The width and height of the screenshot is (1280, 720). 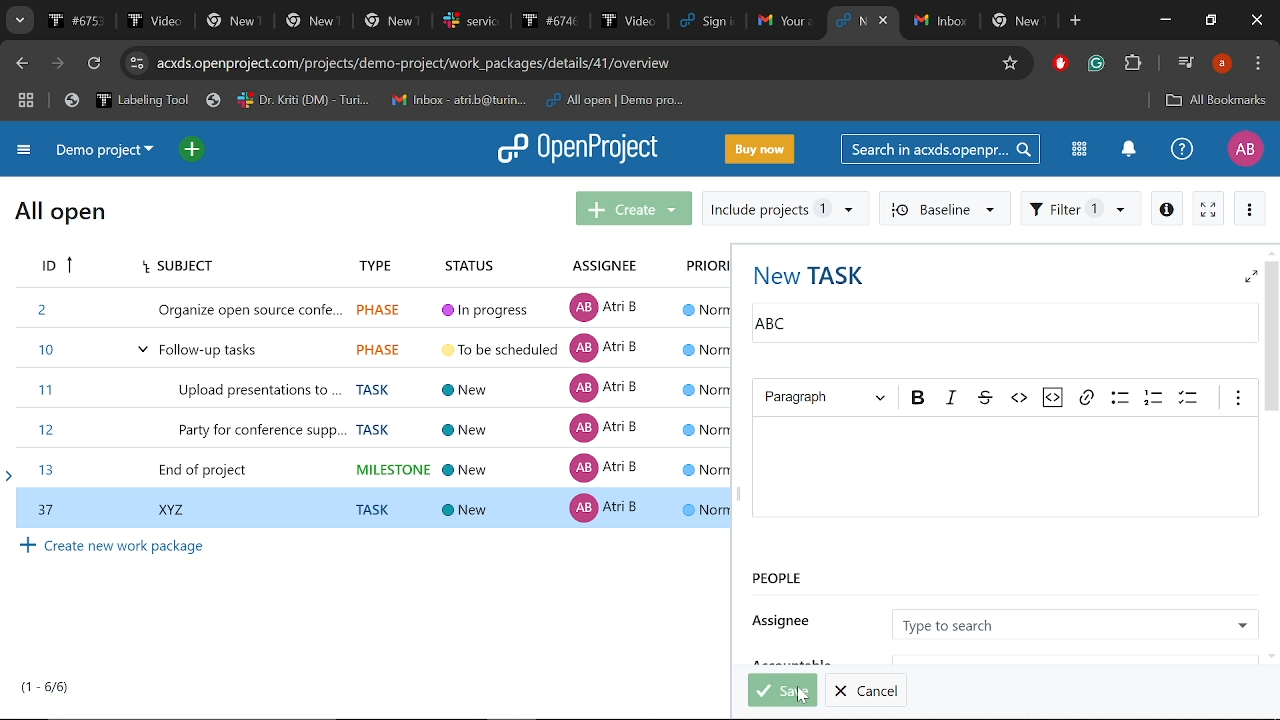 What do you see at coordinates (885, 20) in the screenshot?
I see `Close current  tab` at bounding box center [885, 20].